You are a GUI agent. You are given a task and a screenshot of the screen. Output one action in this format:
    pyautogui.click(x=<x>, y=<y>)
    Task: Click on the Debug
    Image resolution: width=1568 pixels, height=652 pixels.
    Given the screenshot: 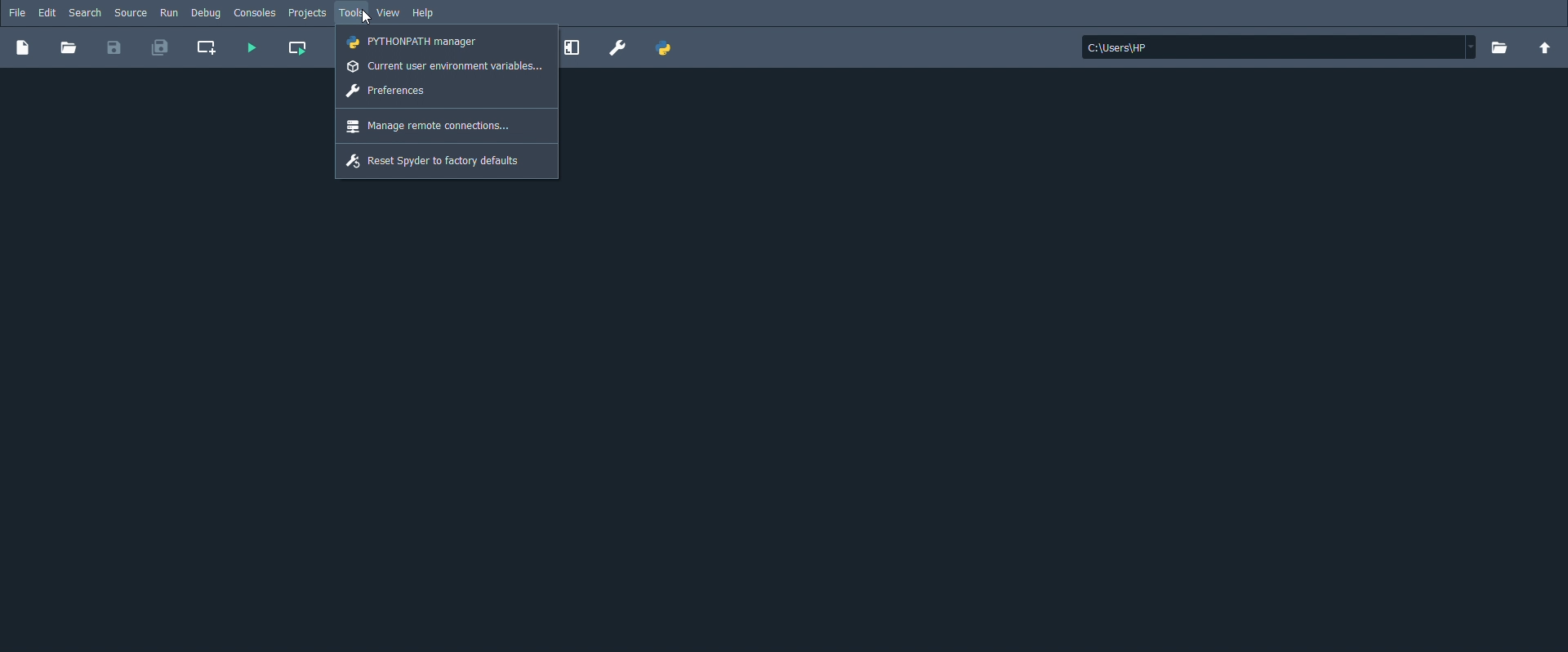 What is the action you would take?
    pyautogui.click(x=207, y=15)
    